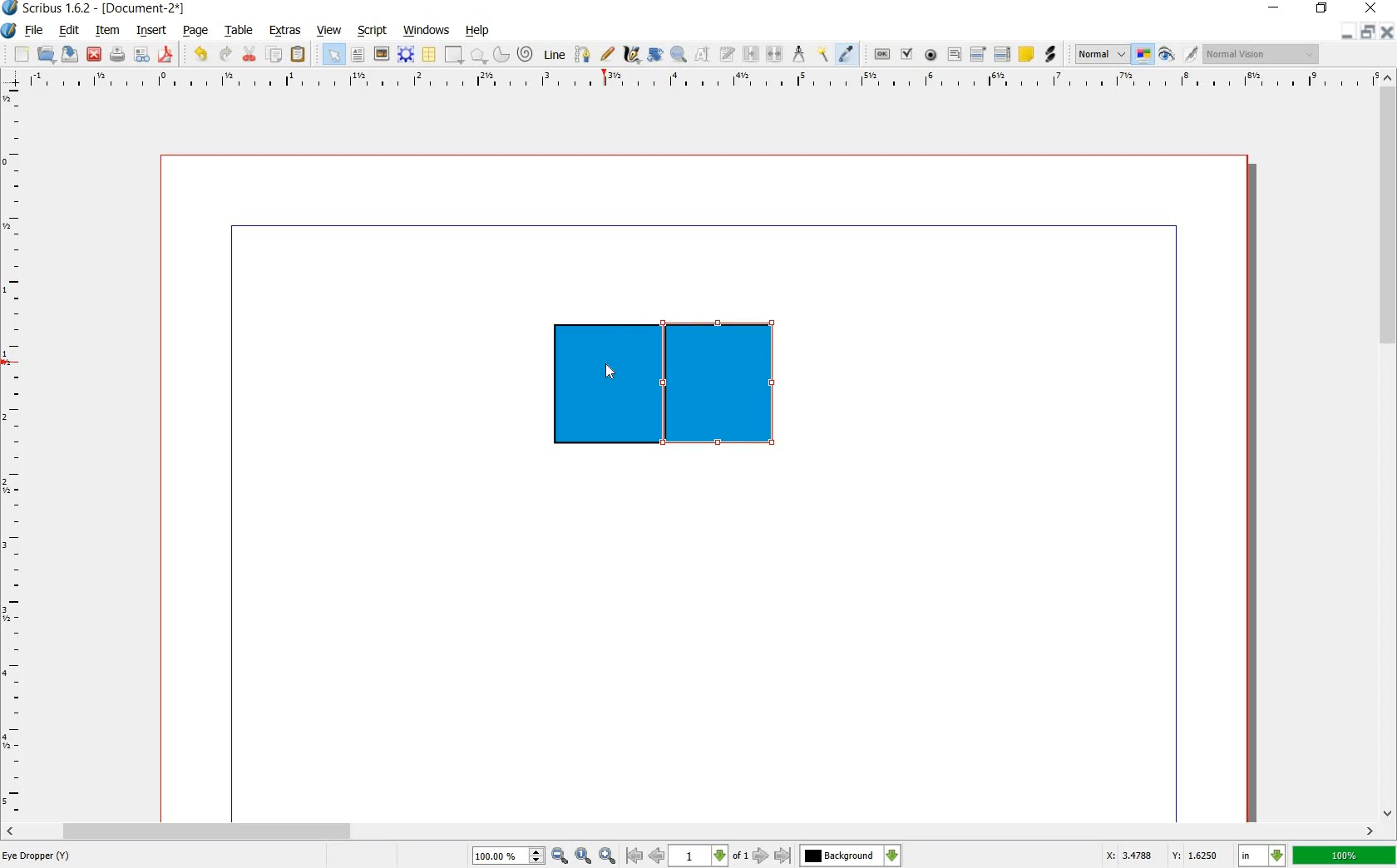 This screenshot has width=1397, height=868. Describe the element at coordinates (1028, 55) in the screenshot. I see `text annotation` at that location.